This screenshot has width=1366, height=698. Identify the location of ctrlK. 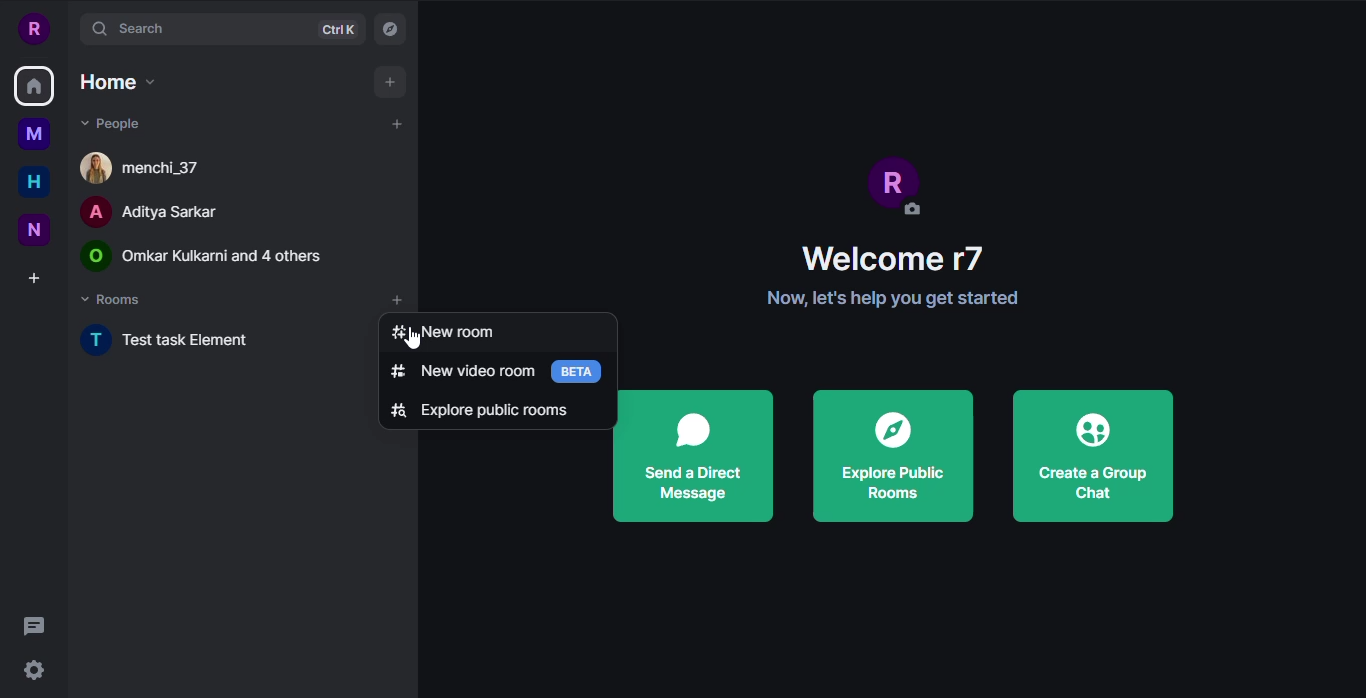
(337, 31).